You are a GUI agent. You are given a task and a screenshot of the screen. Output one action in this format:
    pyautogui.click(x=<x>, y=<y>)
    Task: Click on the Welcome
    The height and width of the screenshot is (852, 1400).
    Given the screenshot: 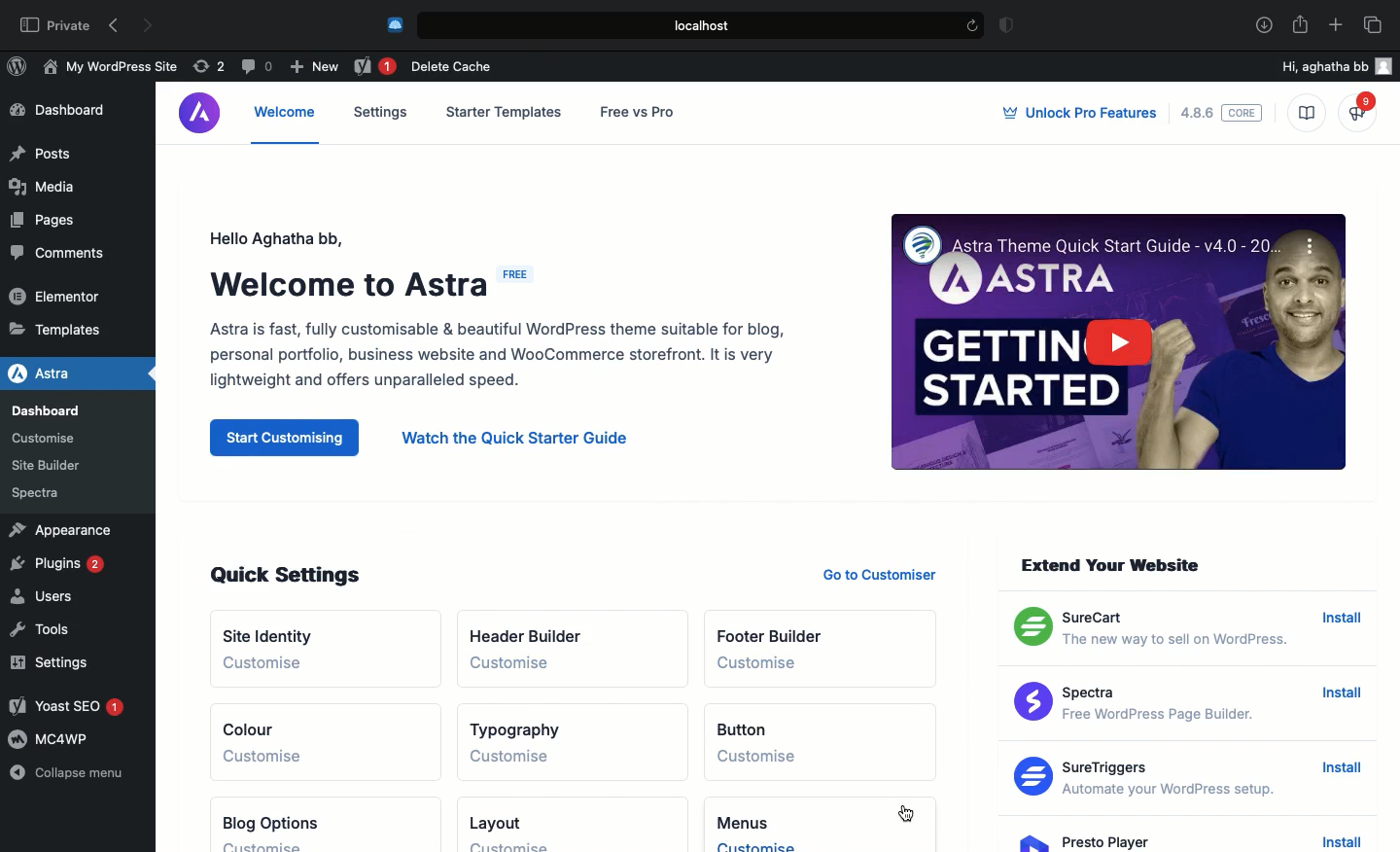 What is the action you would take?
    pyautogui.click(x=286, y=119)
    